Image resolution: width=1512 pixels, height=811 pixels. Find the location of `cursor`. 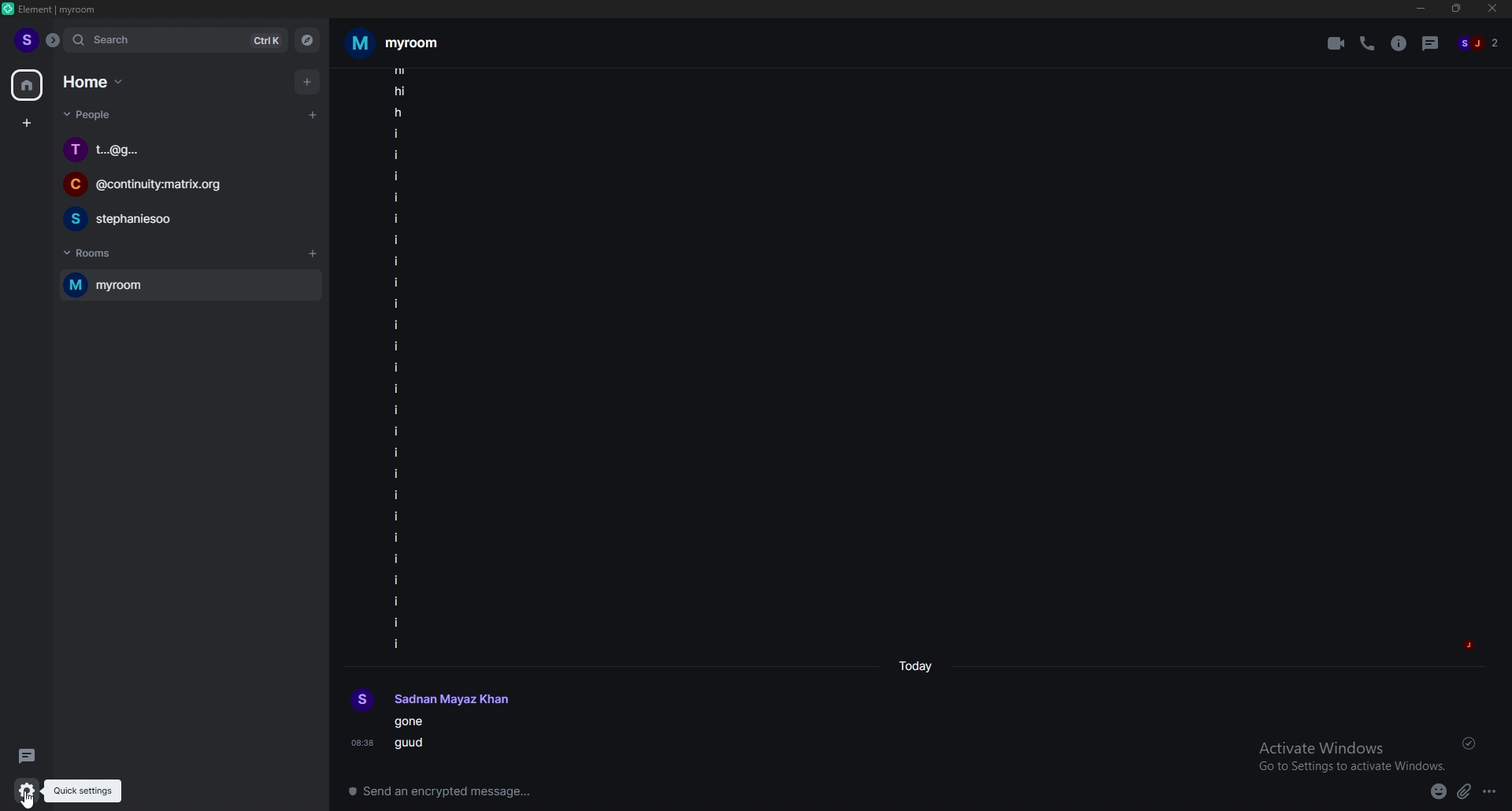

cursor is located at coordinates (40, 799).